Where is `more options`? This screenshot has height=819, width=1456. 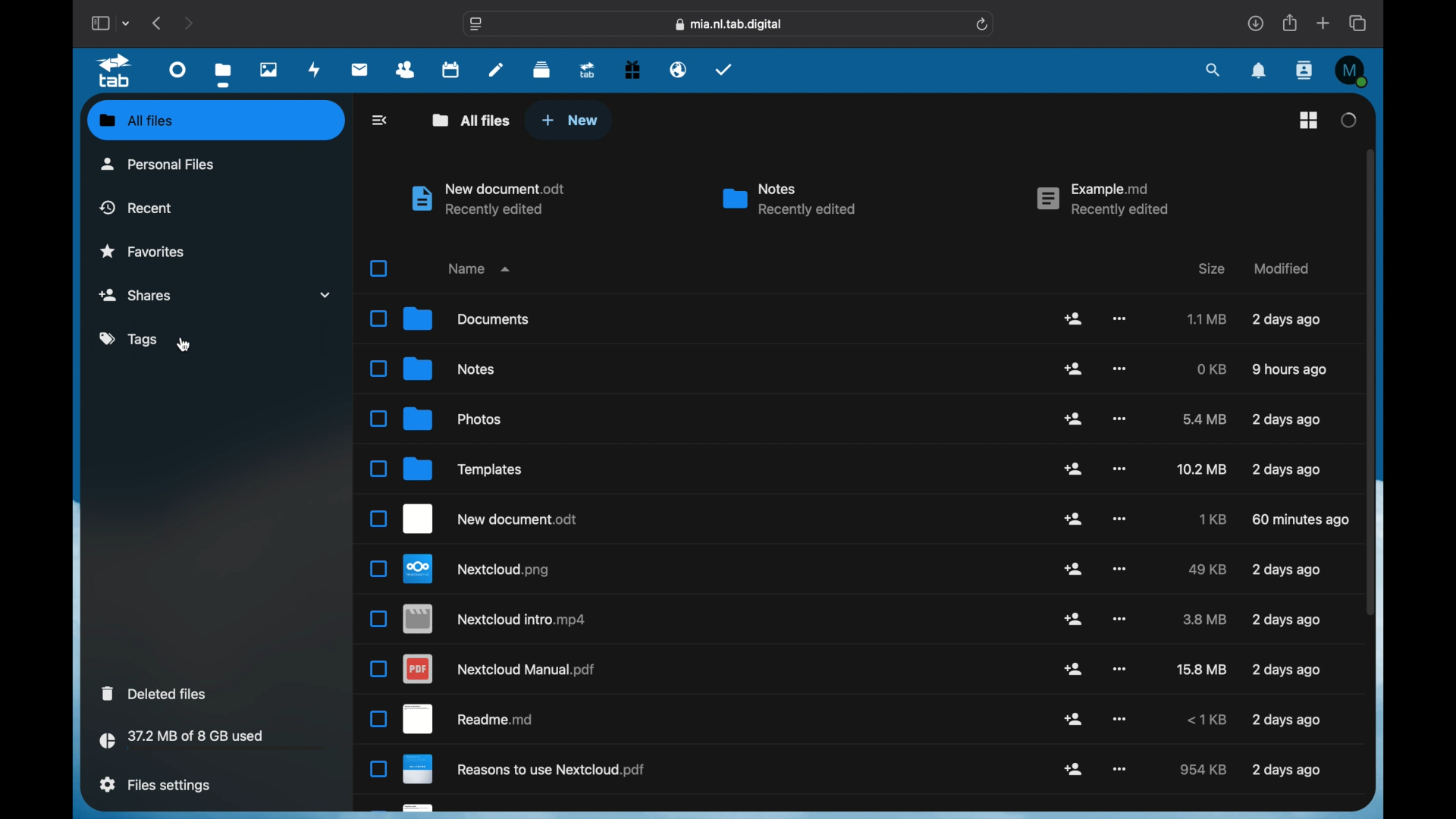 more options is located at coordinates (1119, 618).